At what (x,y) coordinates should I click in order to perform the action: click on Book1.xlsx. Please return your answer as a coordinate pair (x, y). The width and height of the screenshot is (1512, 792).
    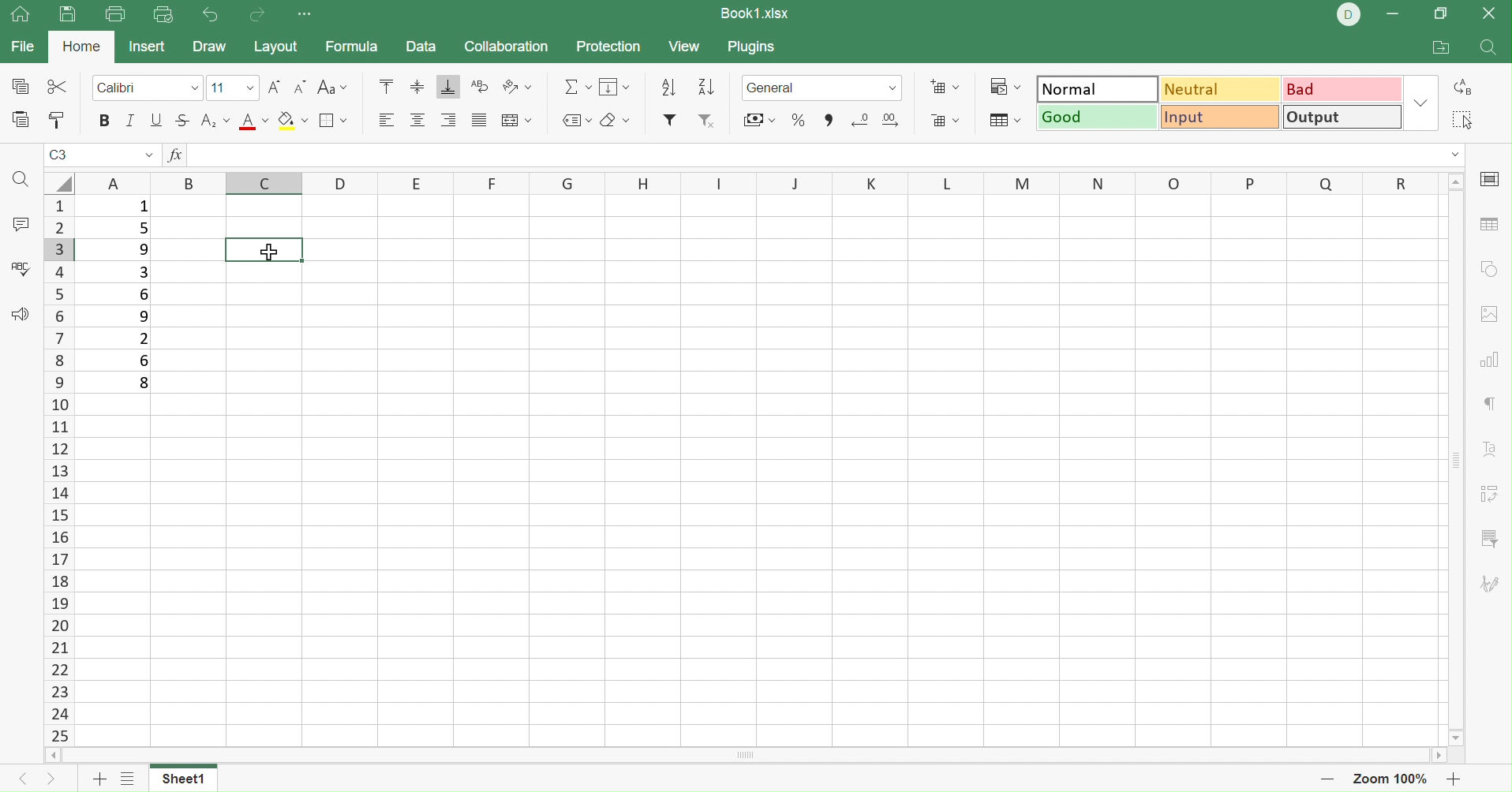
    Looking at the image, I should click on (754, 13).